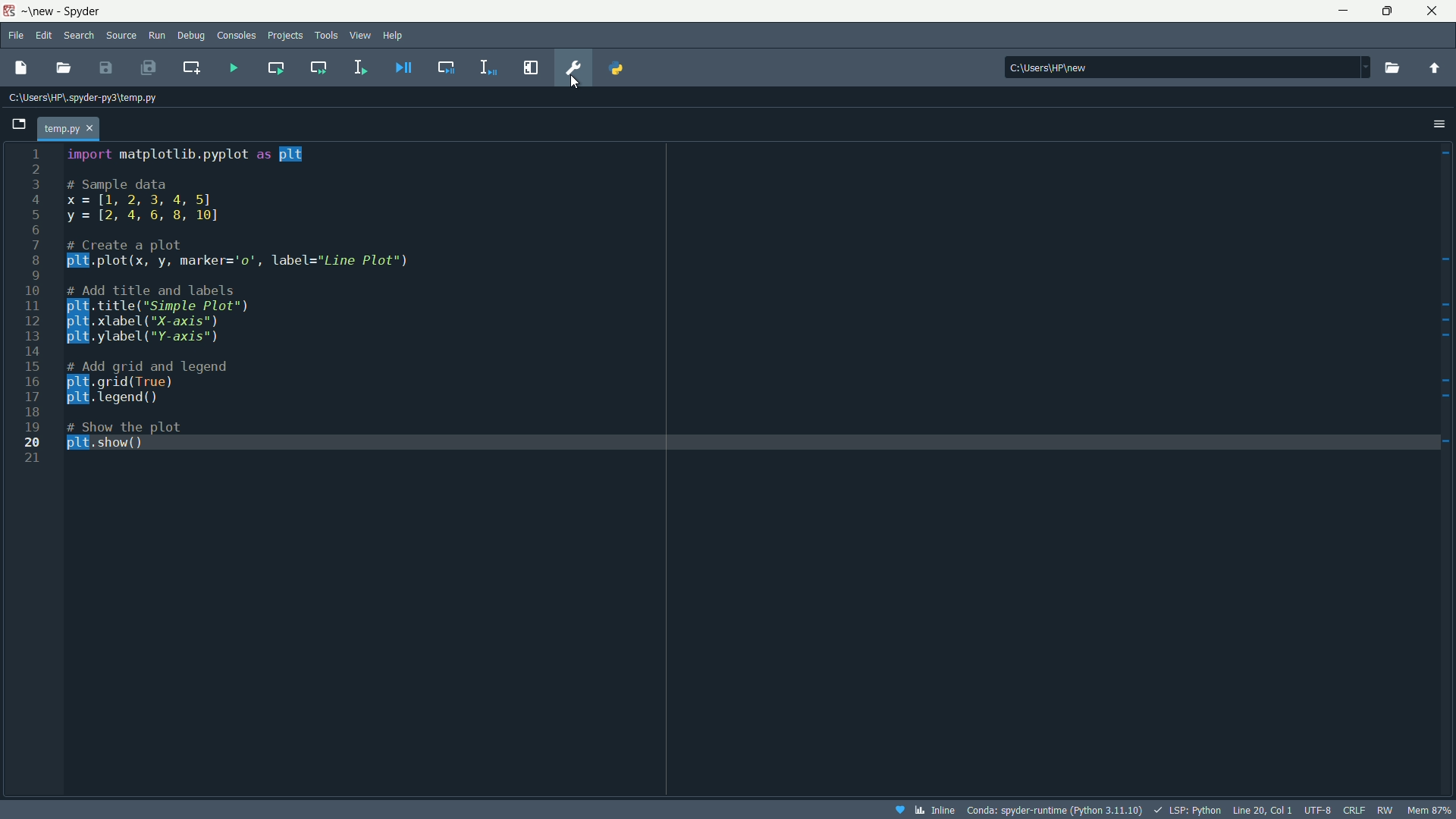 This screenshot has height=819, width=1456. I want to click on LSP:Python, so click(1187, 810).